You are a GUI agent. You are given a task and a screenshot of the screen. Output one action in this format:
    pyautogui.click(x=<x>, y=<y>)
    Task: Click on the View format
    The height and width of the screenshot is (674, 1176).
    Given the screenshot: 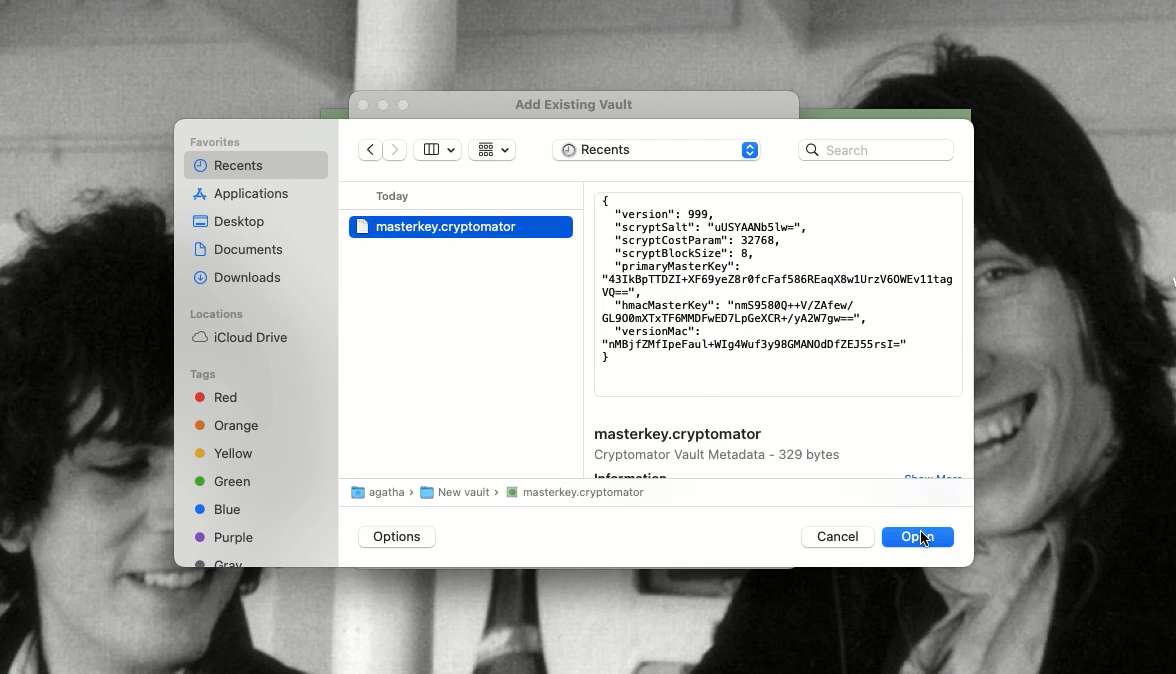 What is the action you would take?
    pyautogui.click(x=438, y=150)
    